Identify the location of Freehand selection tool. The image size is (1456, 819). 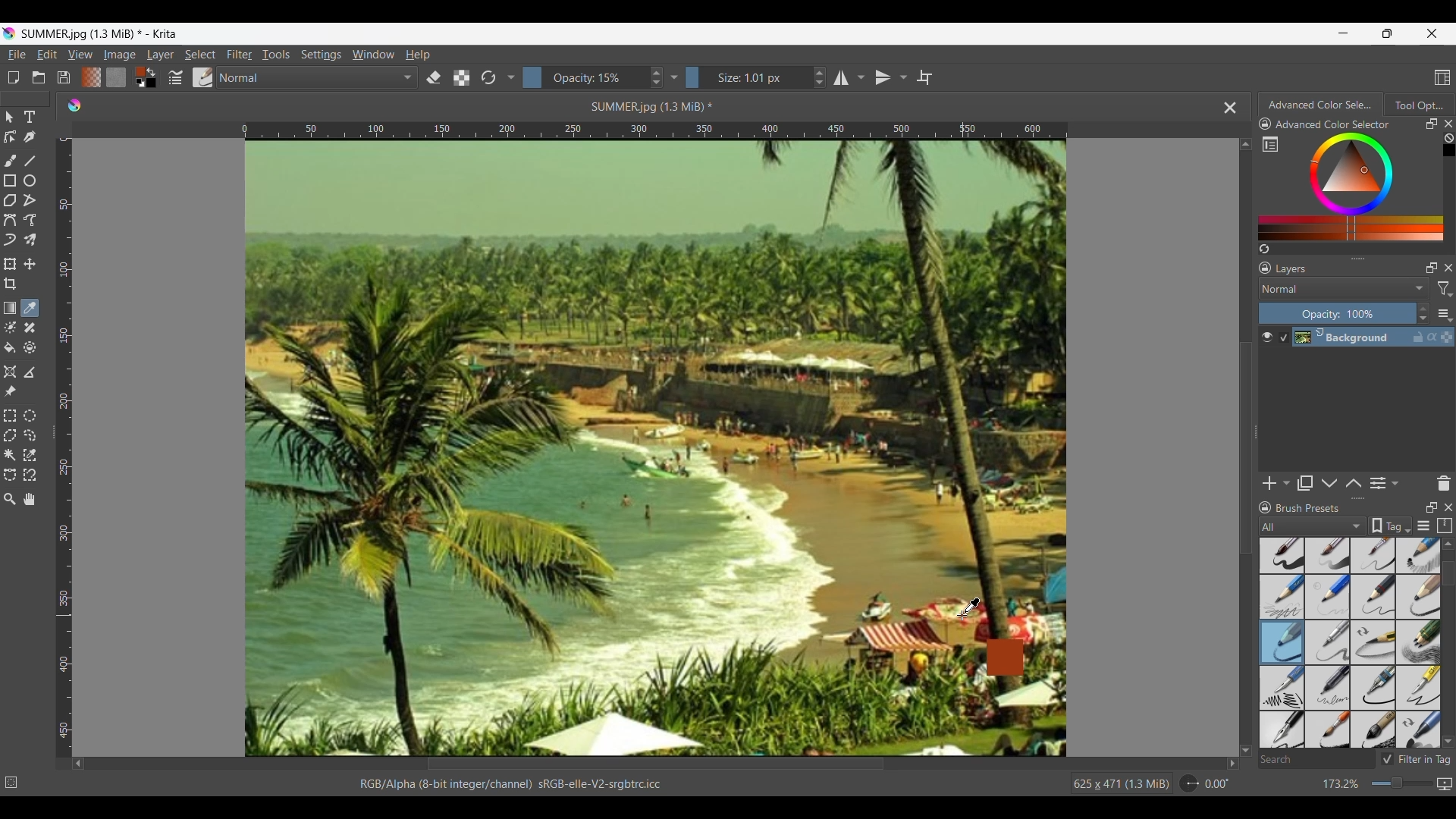
(31, 435).